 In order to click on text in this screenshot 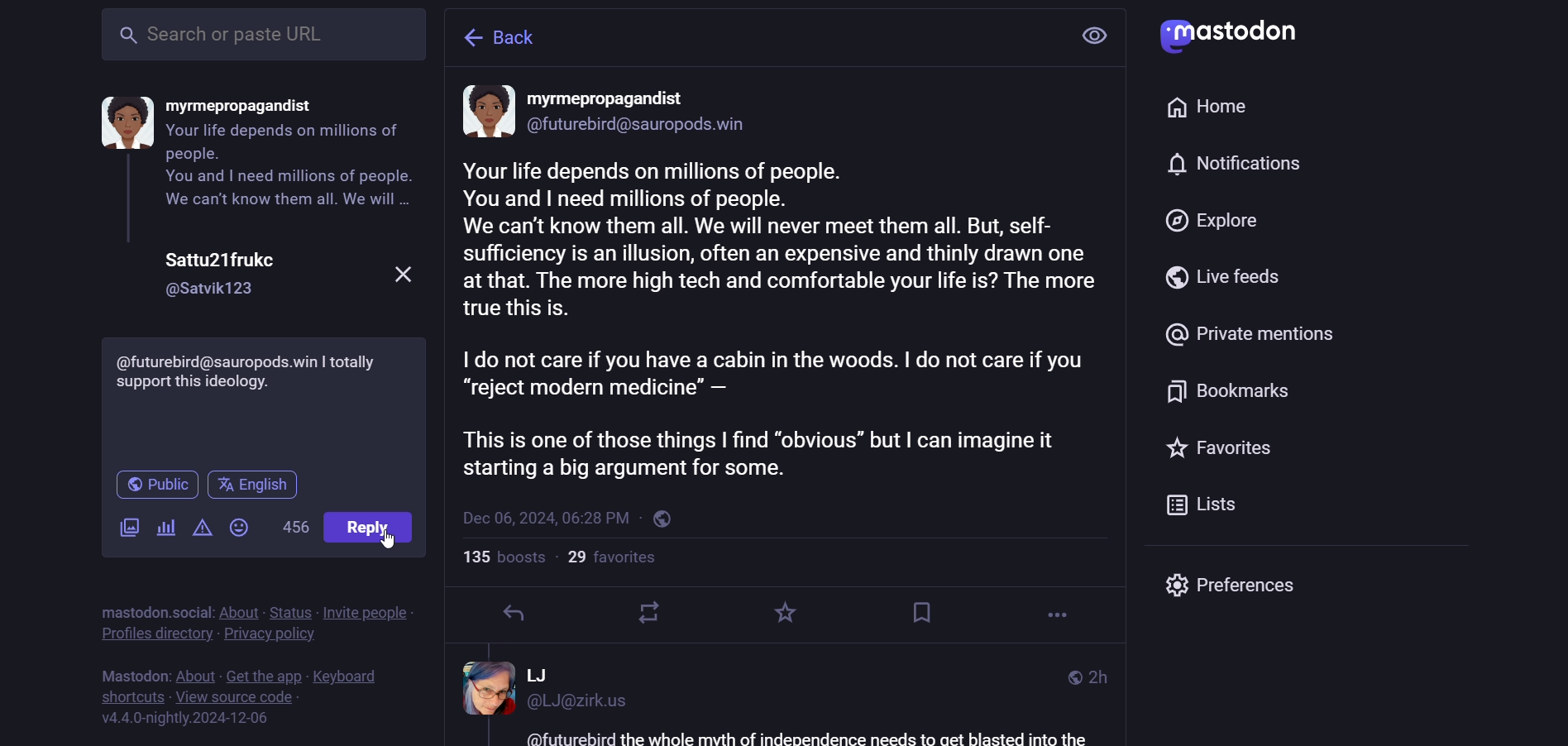, I will do `click(804, 738)`.